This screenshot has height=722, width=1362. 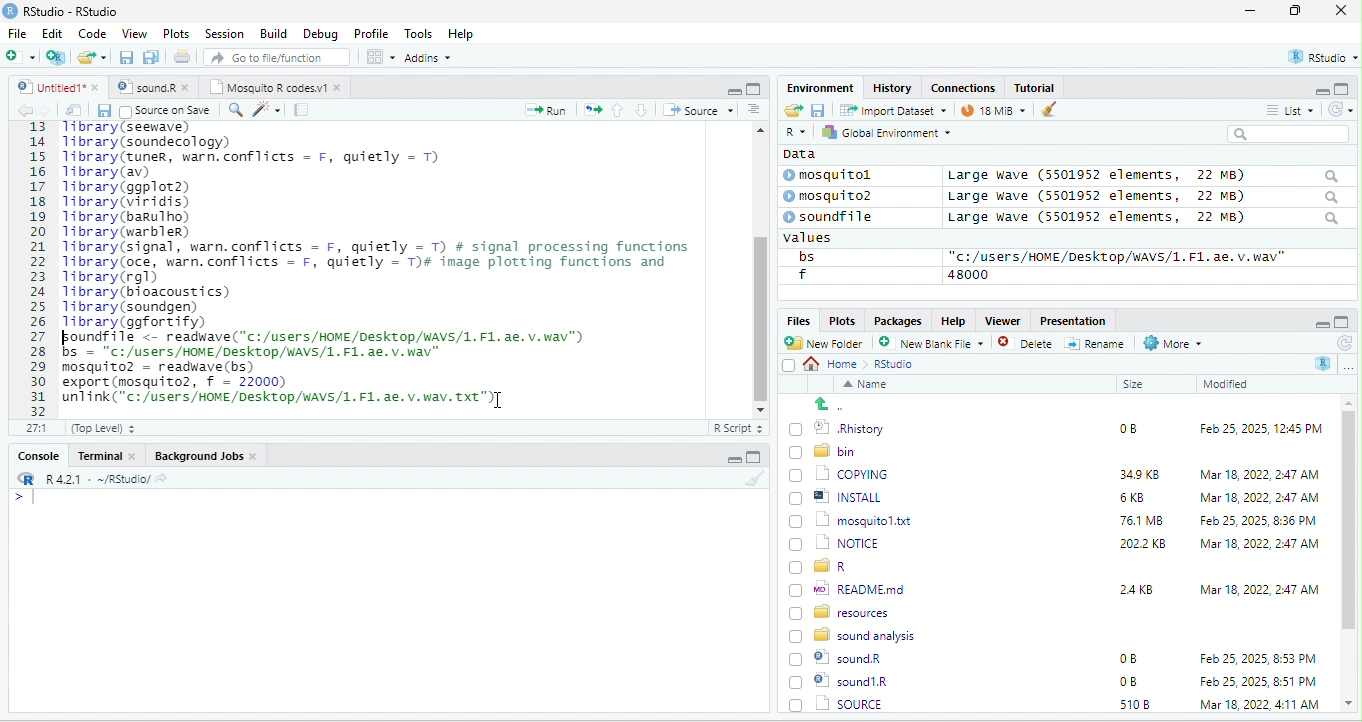 I want to click on Uninstall.exe, so click(x=849, y=703).